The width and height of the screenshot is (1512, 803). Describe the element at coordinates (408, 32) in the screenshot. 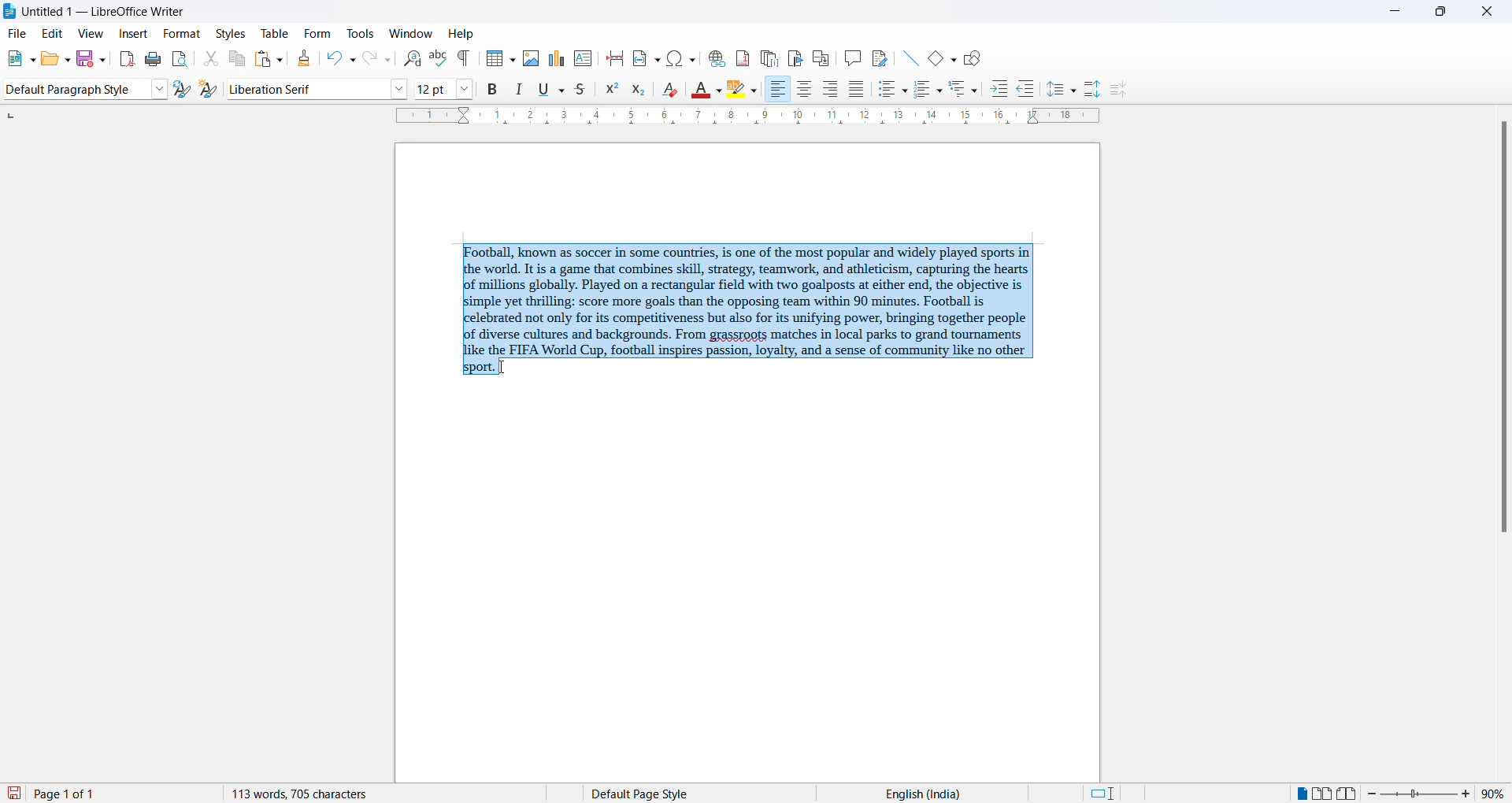

I see `window` at that location.